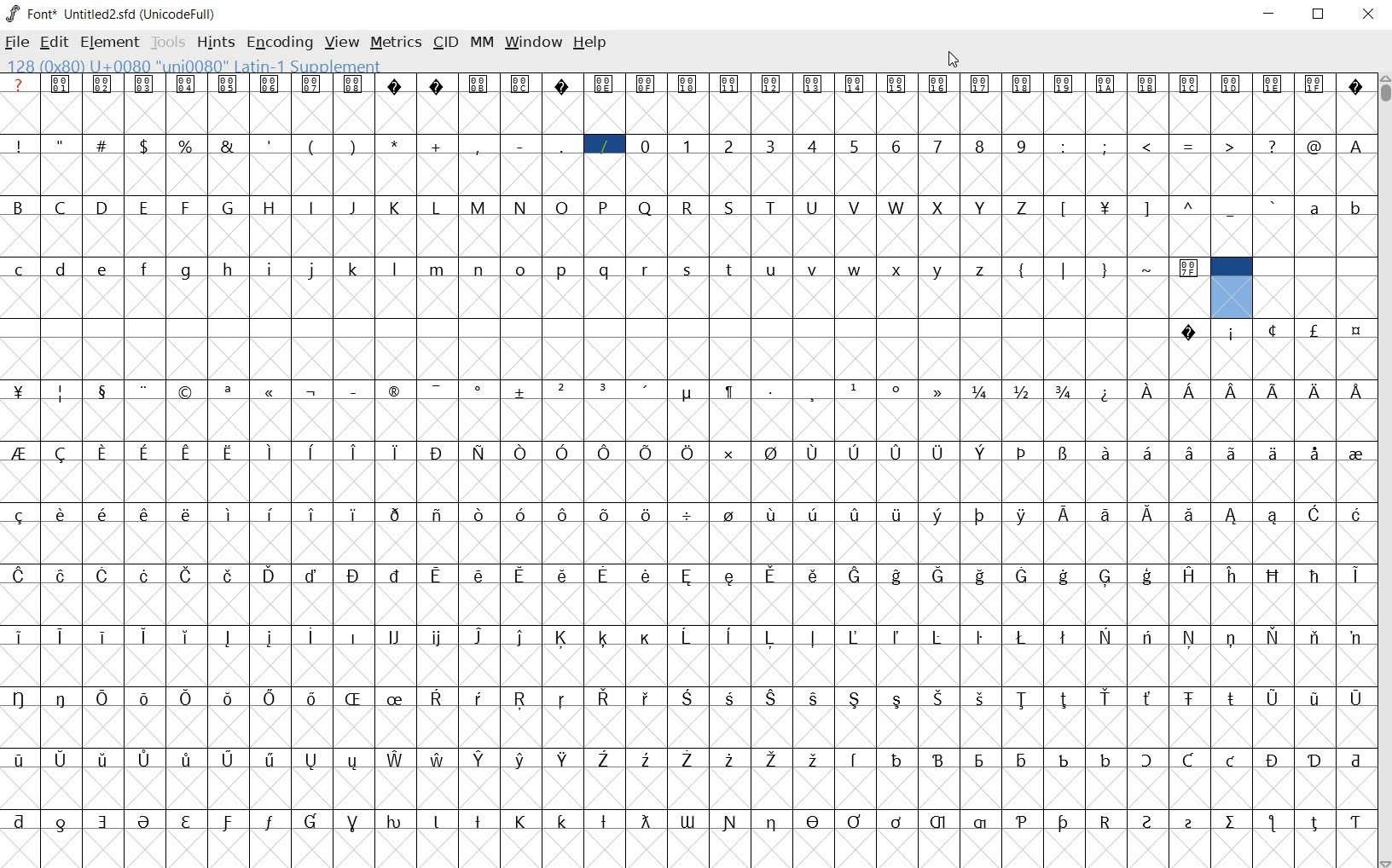 The image size is (1392, 868). Describe the element at coordinates (689, 574) in the screenshot. I see `Symbol` at that location.